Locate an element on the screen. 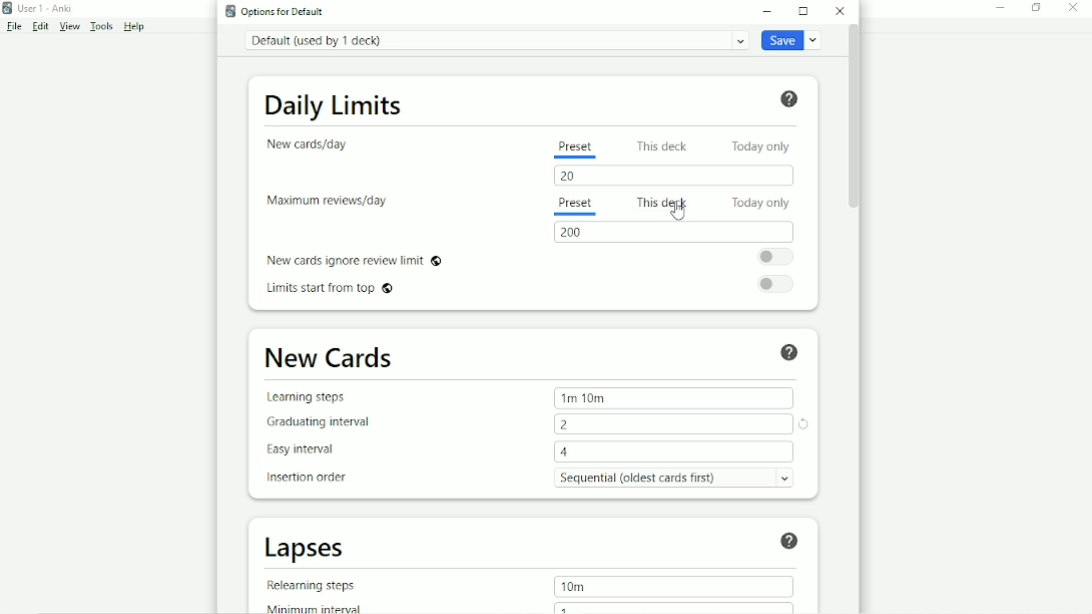  This deck is located at coordinates (665, 145).